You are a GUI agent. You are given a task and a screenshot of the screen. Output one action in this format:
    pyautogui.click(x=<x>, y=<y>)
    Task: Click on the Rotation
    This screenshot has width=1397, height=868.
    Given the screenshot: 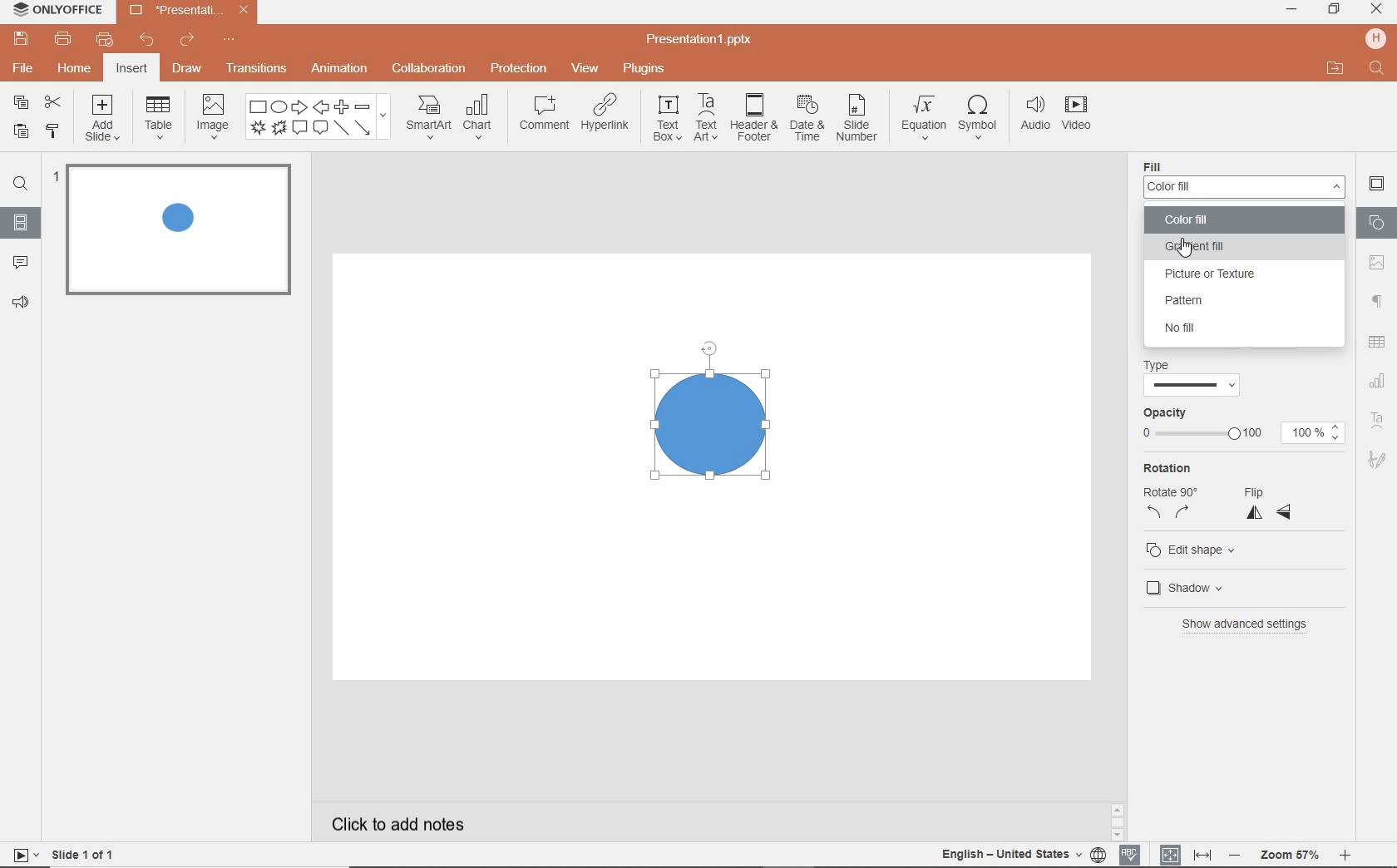 What is the action you would take?
    pyautogui.click(x=1173, y=469)
    